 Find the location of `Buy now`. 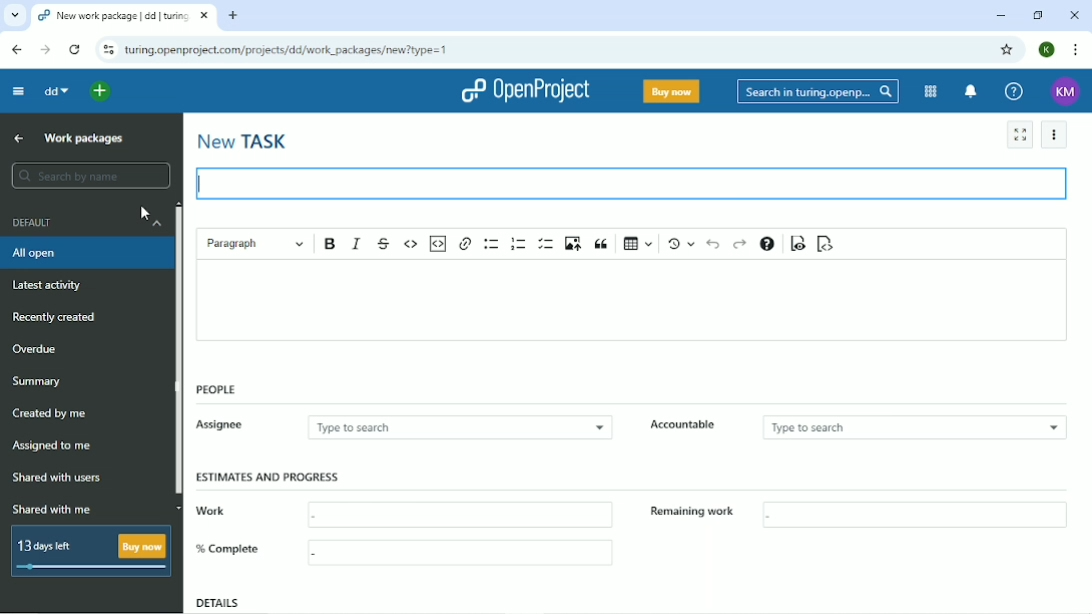

Buy now is located at coordinates (671, 92).